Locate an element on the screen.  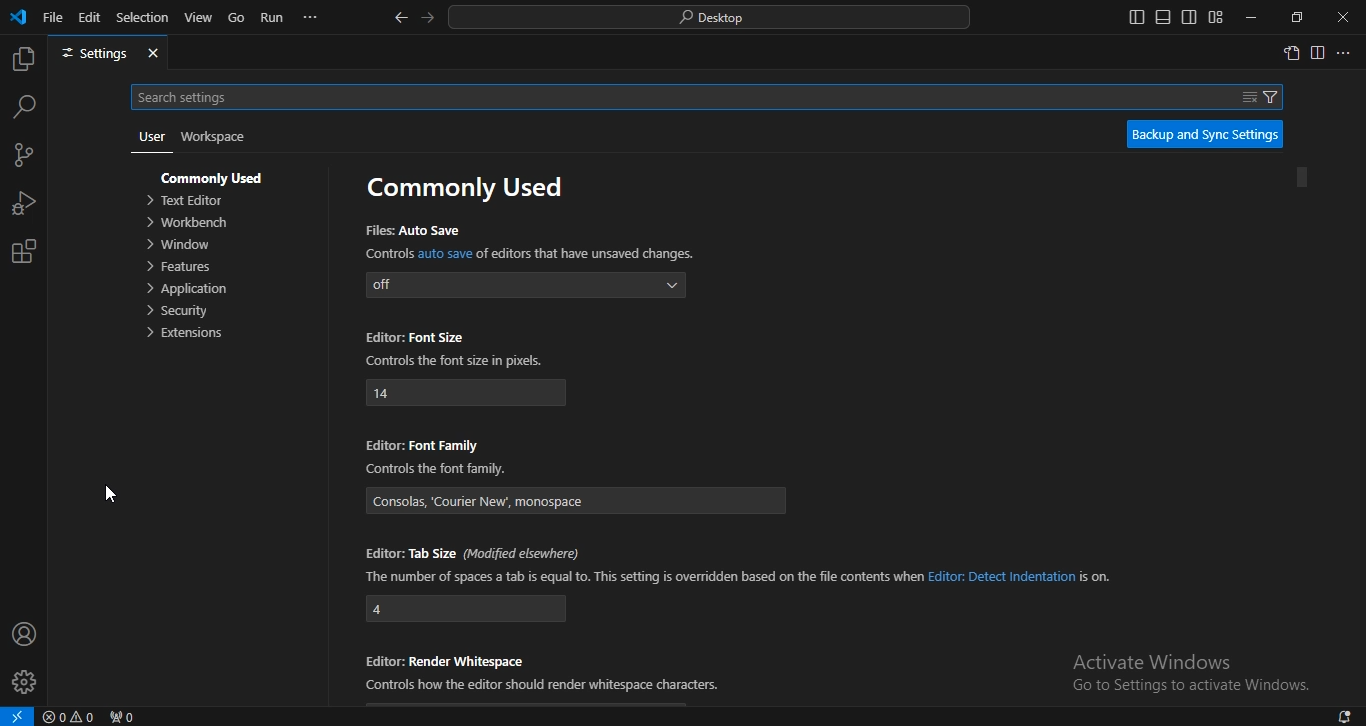
window is located at coordinates (179, 246).